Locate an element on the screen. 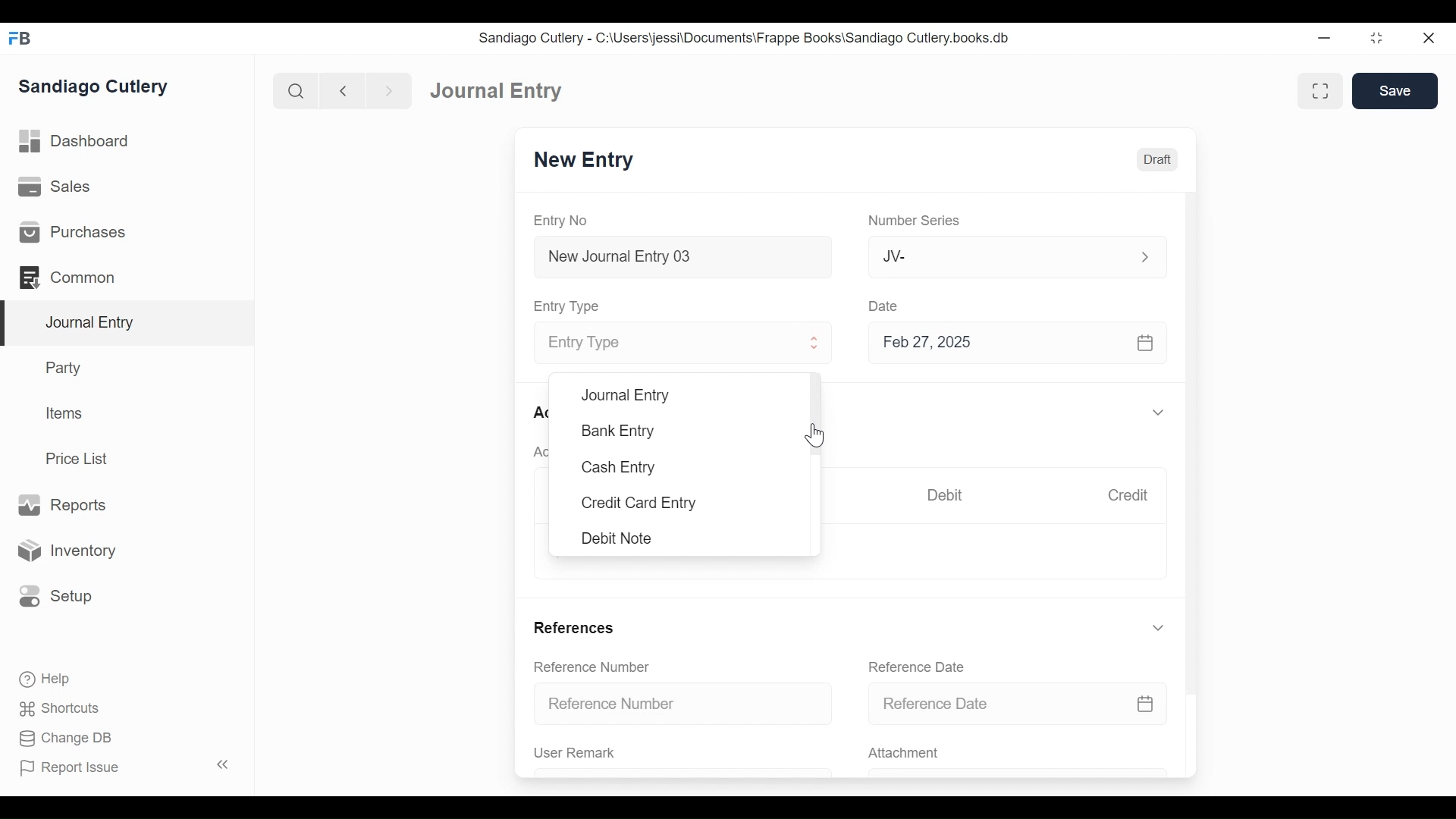 Image resolution: width=1456 pixels, height=819 pixels. Help is located at coordinates (46, 679).